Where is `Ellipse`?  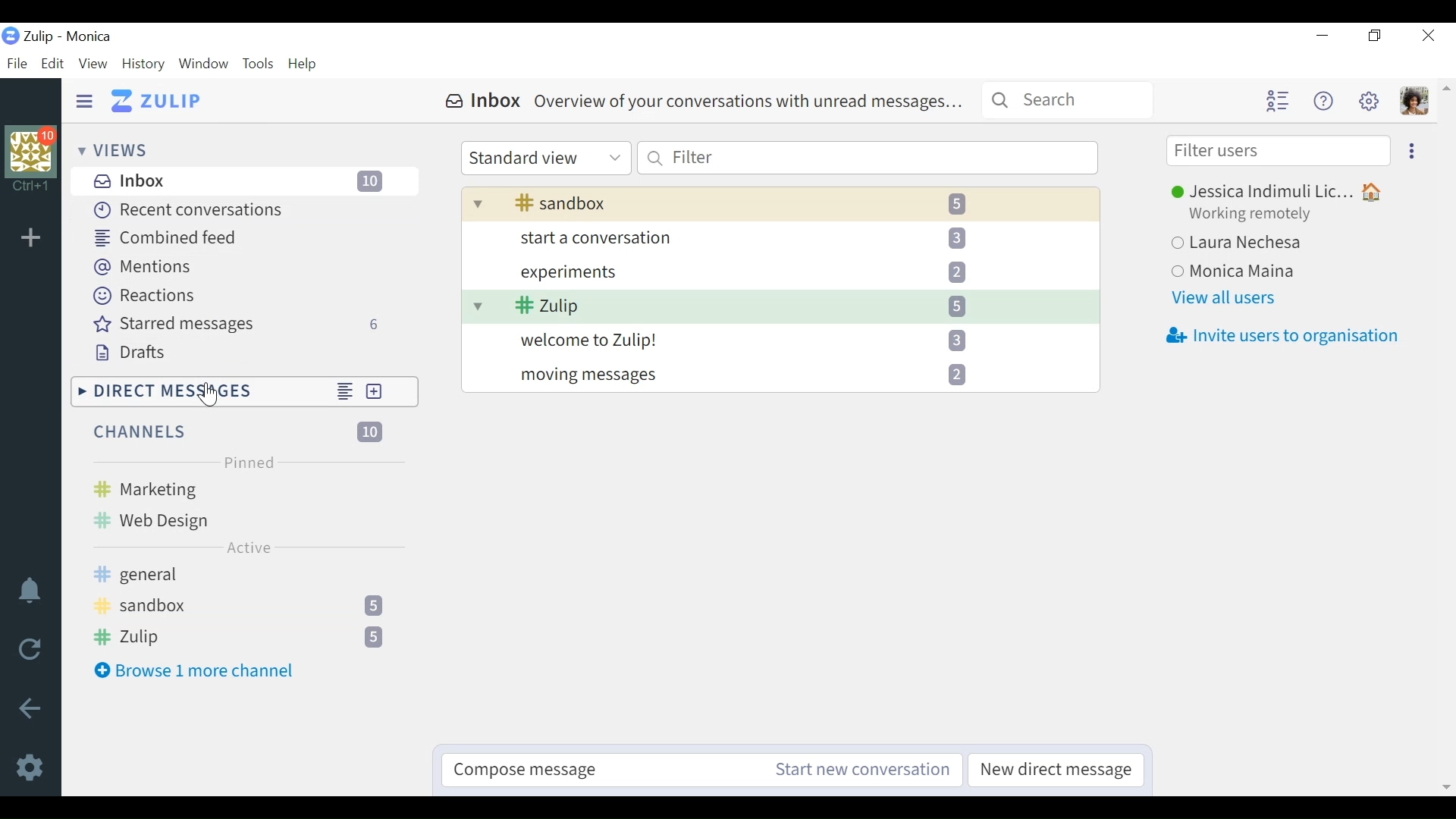 Ellipse is located at coordinates (1413, 151).